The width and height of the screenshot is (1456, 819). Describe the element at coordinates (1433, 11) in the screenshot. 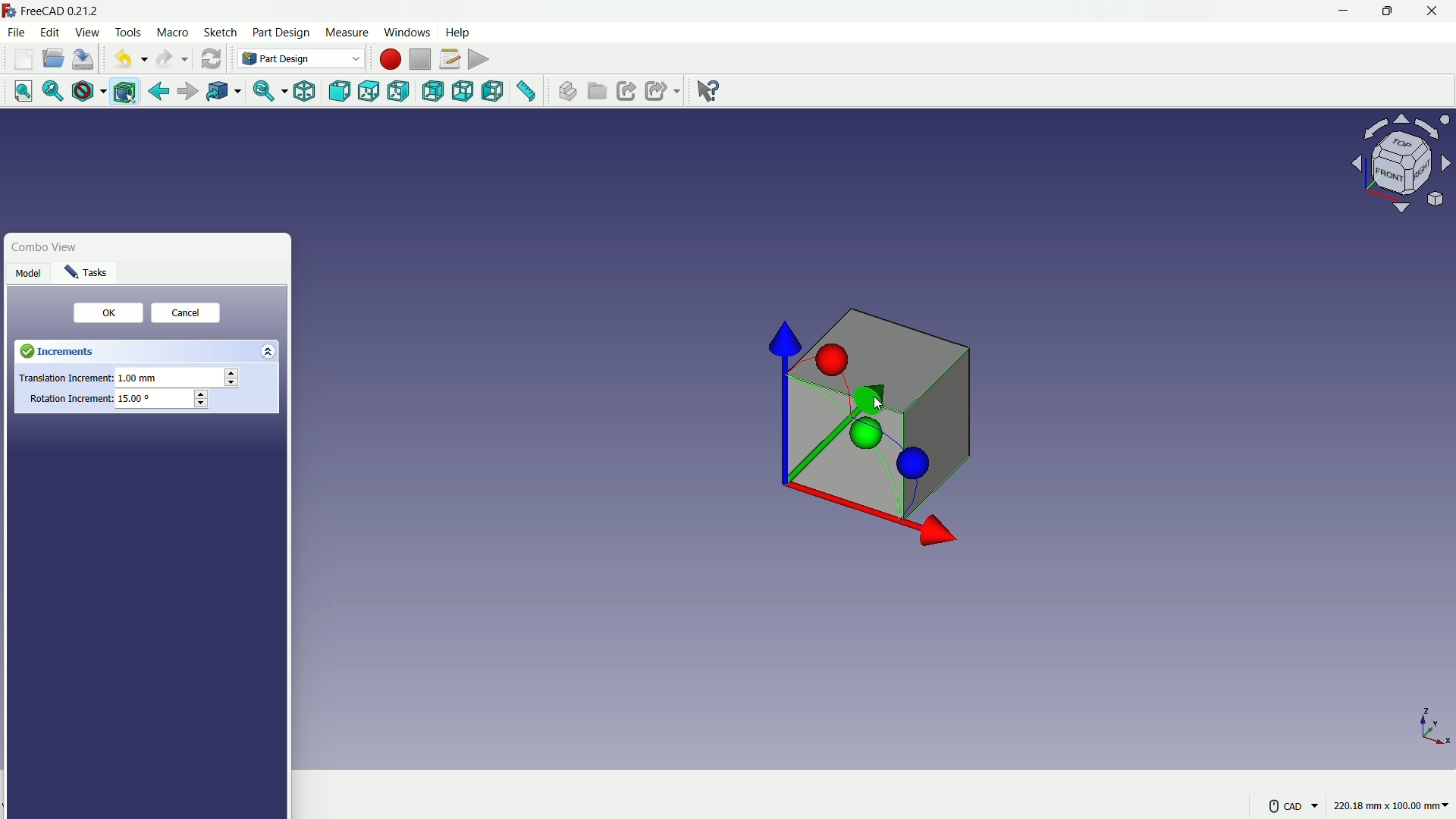

I see `close app` at that location.